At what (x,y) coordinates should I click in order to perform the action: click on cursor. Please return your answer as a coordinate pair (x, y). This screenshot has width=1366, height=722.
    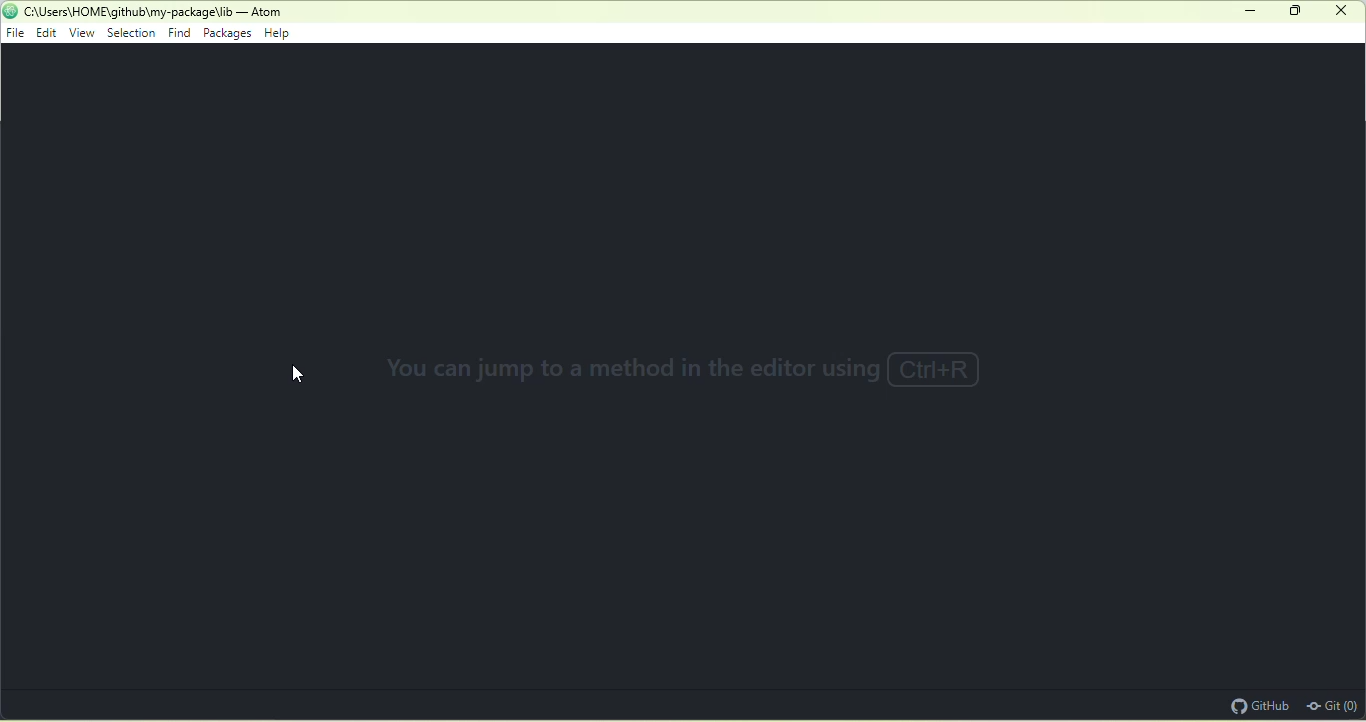
    Looking at the image, I should click on (302, 378).